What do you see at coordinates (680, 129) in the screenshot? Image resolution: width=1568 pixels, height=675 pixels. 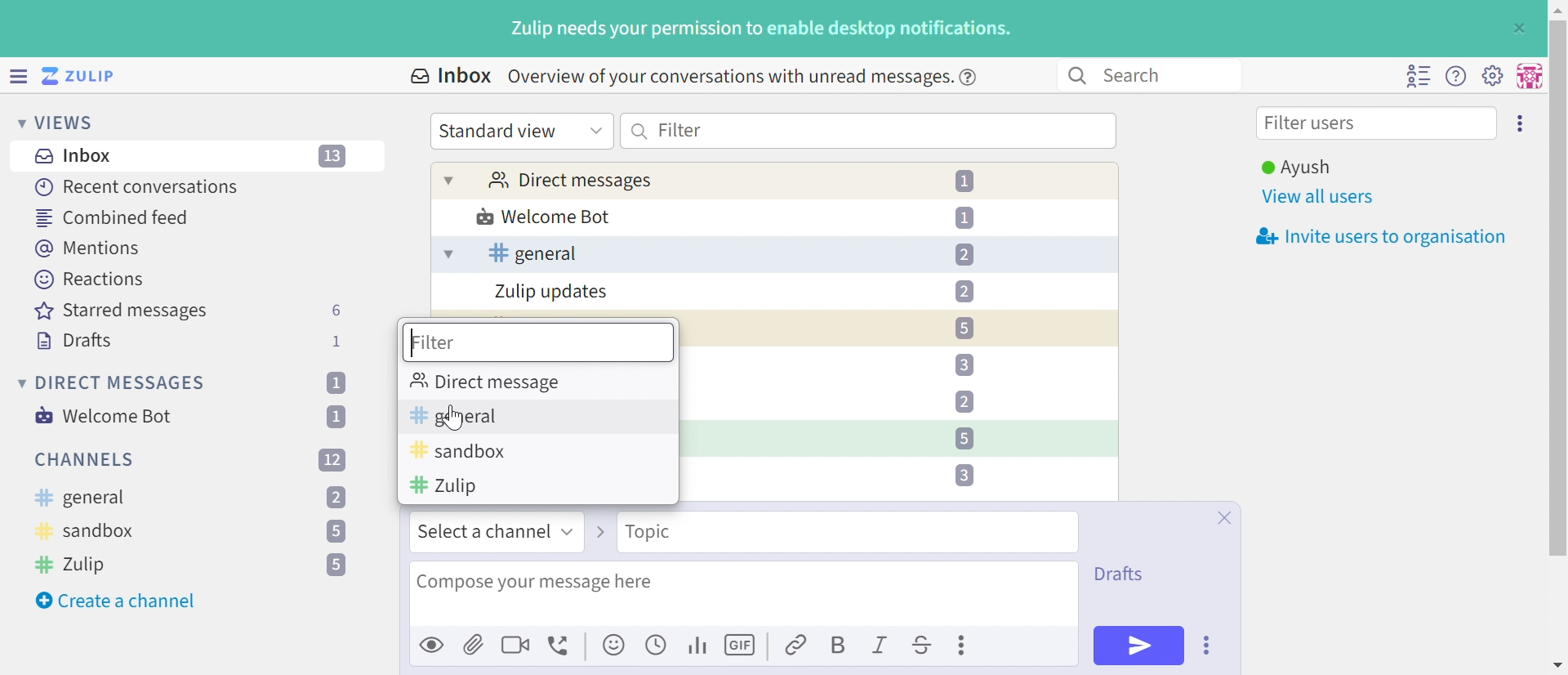 I see `Filter` at bounding box center [680, 129].